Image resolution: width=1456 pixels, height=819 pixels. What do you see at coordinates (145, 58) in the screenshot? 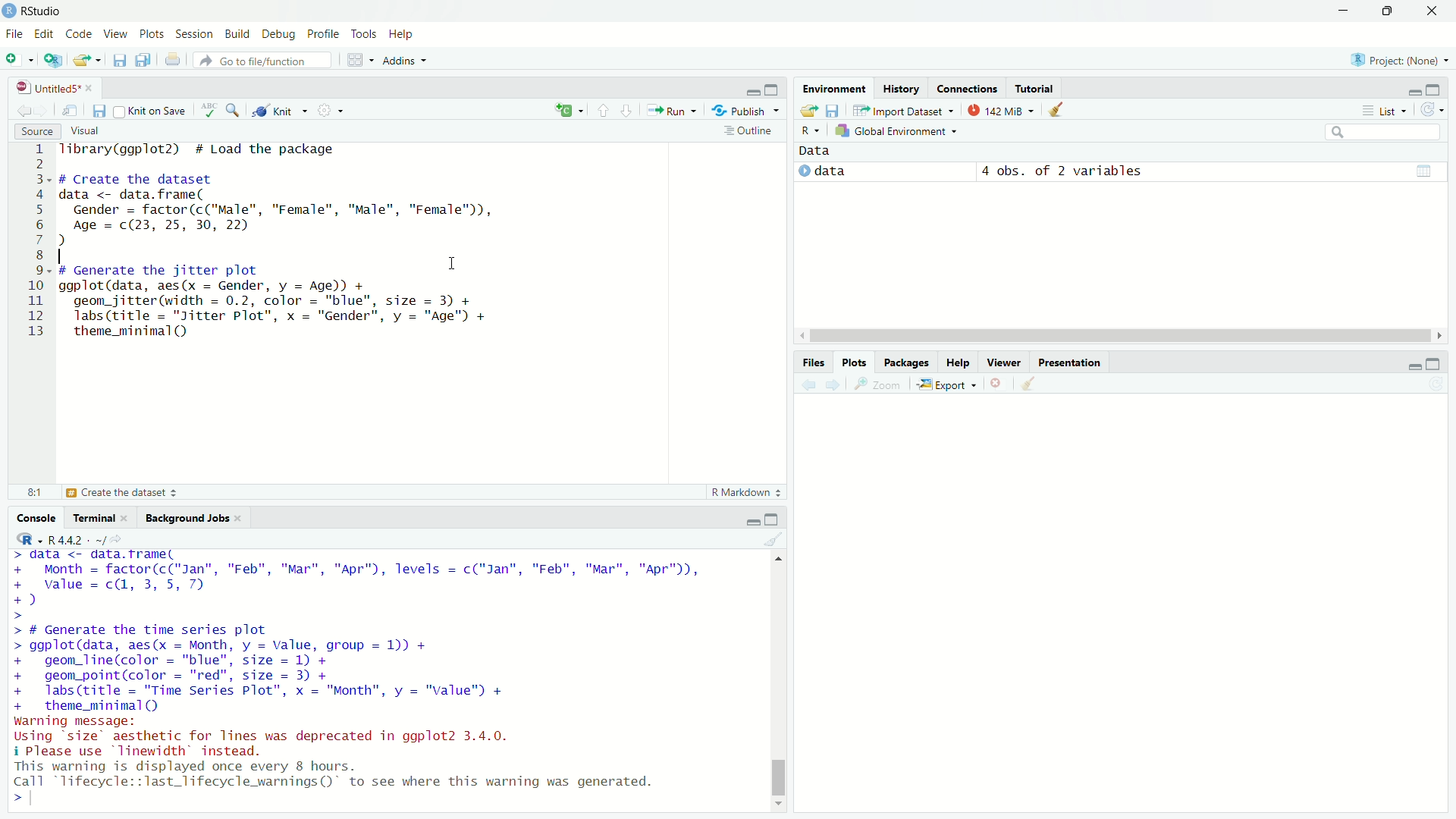
I see `save all open documents` at bounding box center [145, 58].